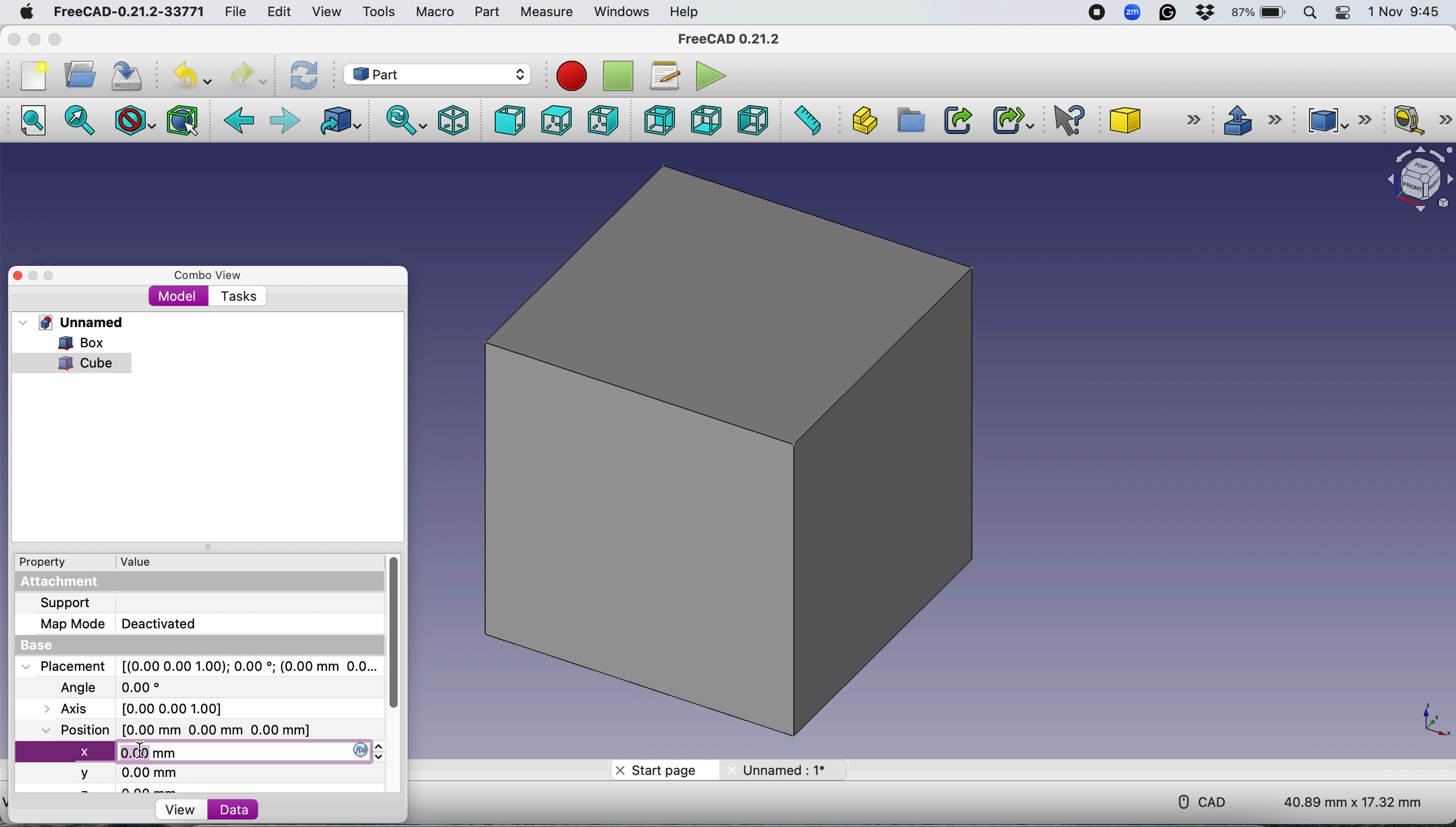 The height and width of the screenshot is (827, 1456). Describe the element at coordinates (56, 40) in the screenshot. I see `Maximise` at that location.